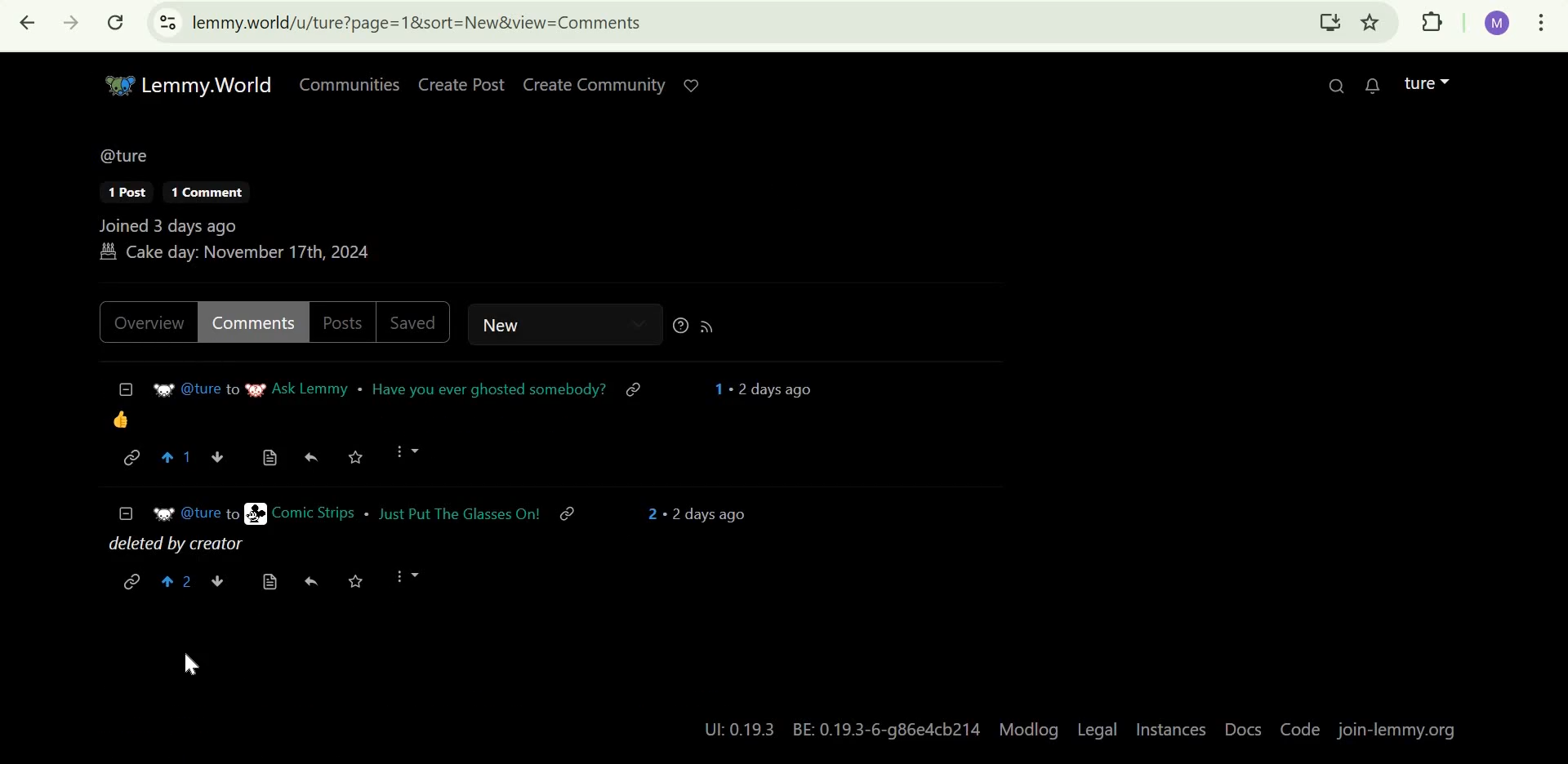  I want to click on @ture, so click(122, 153).